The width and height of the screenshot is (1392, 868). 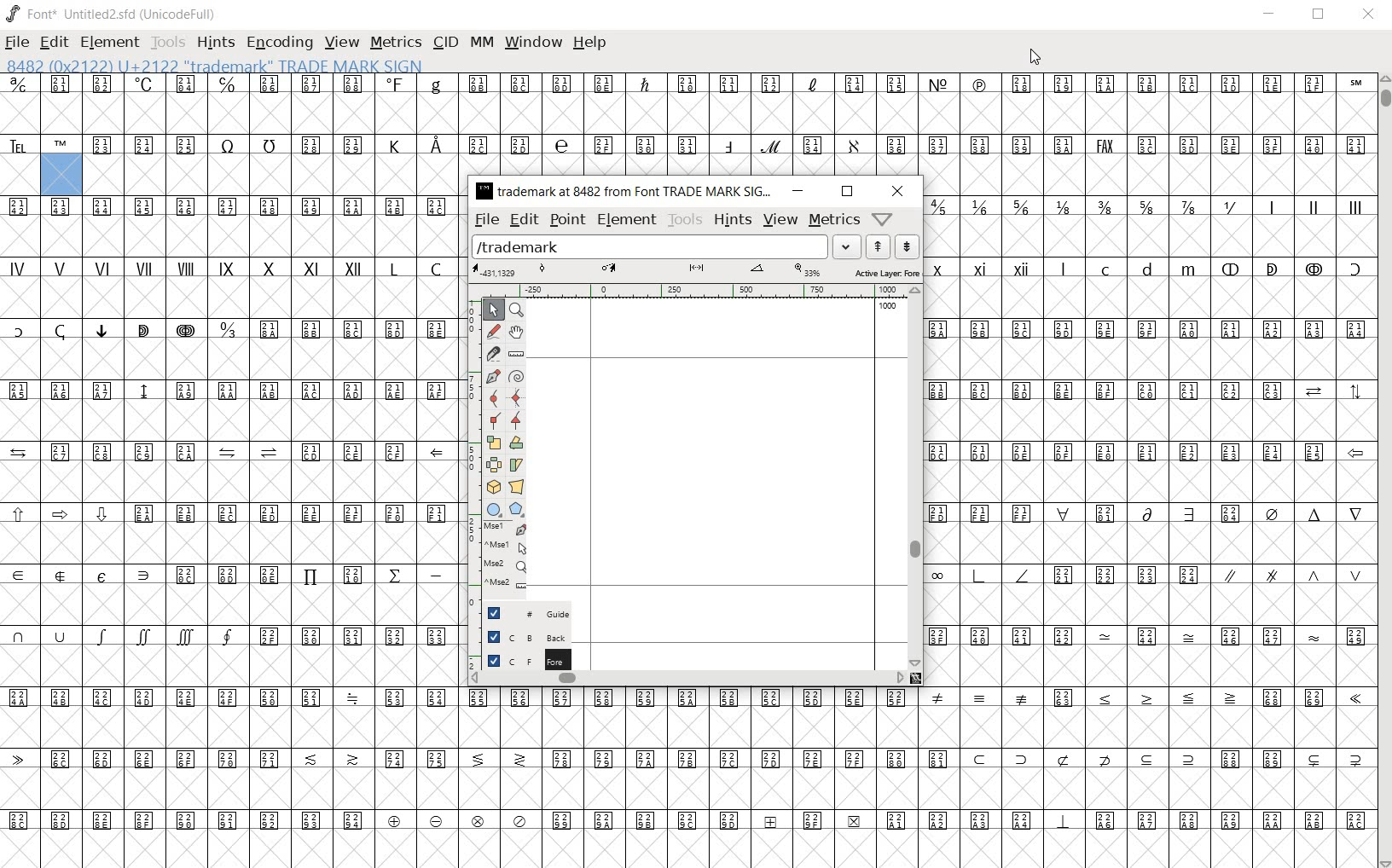 I want to click on symbols, so click(x=697, y=759).